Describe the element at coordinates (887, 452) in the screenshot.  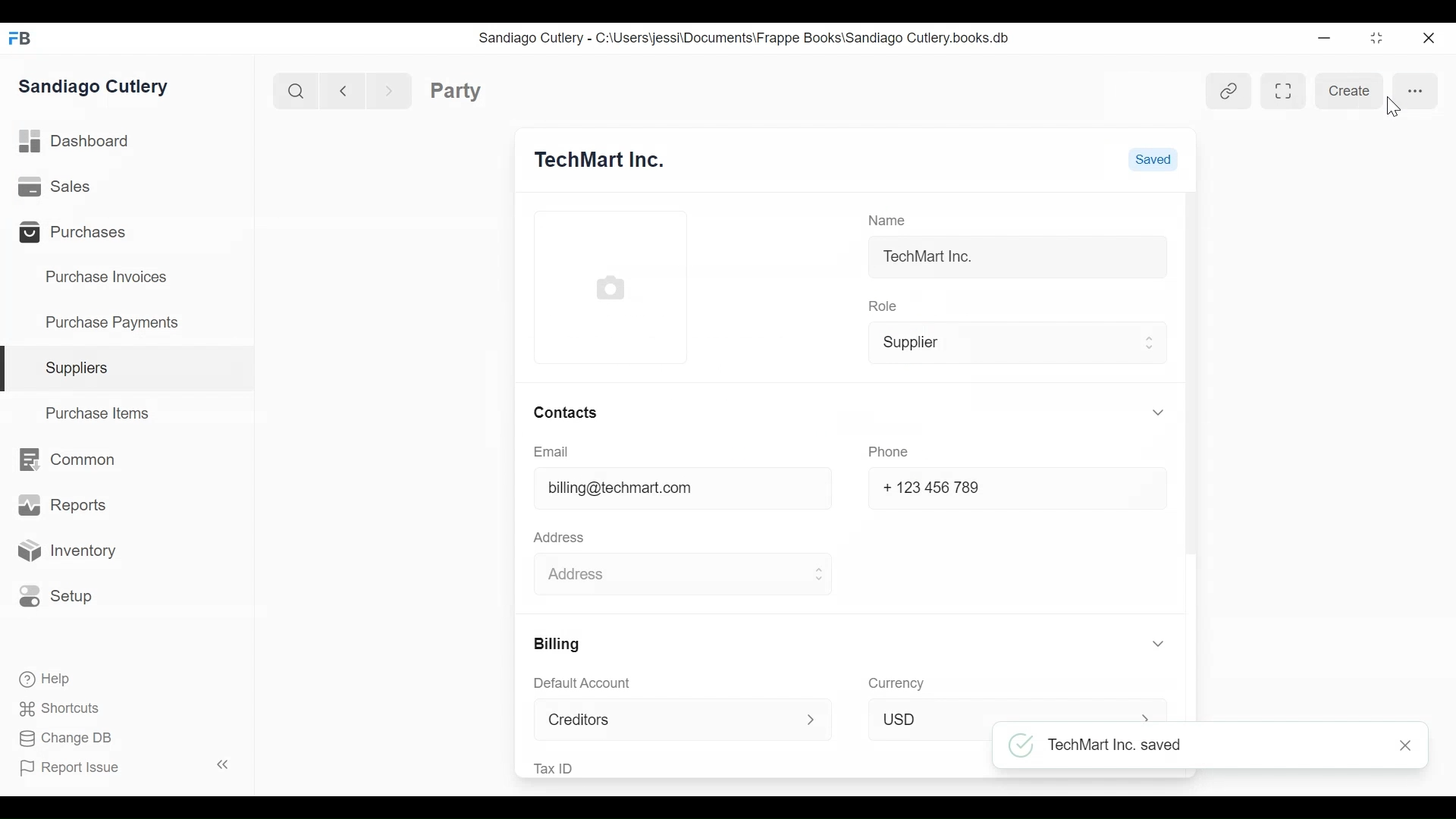
I see `Phone` at that location.